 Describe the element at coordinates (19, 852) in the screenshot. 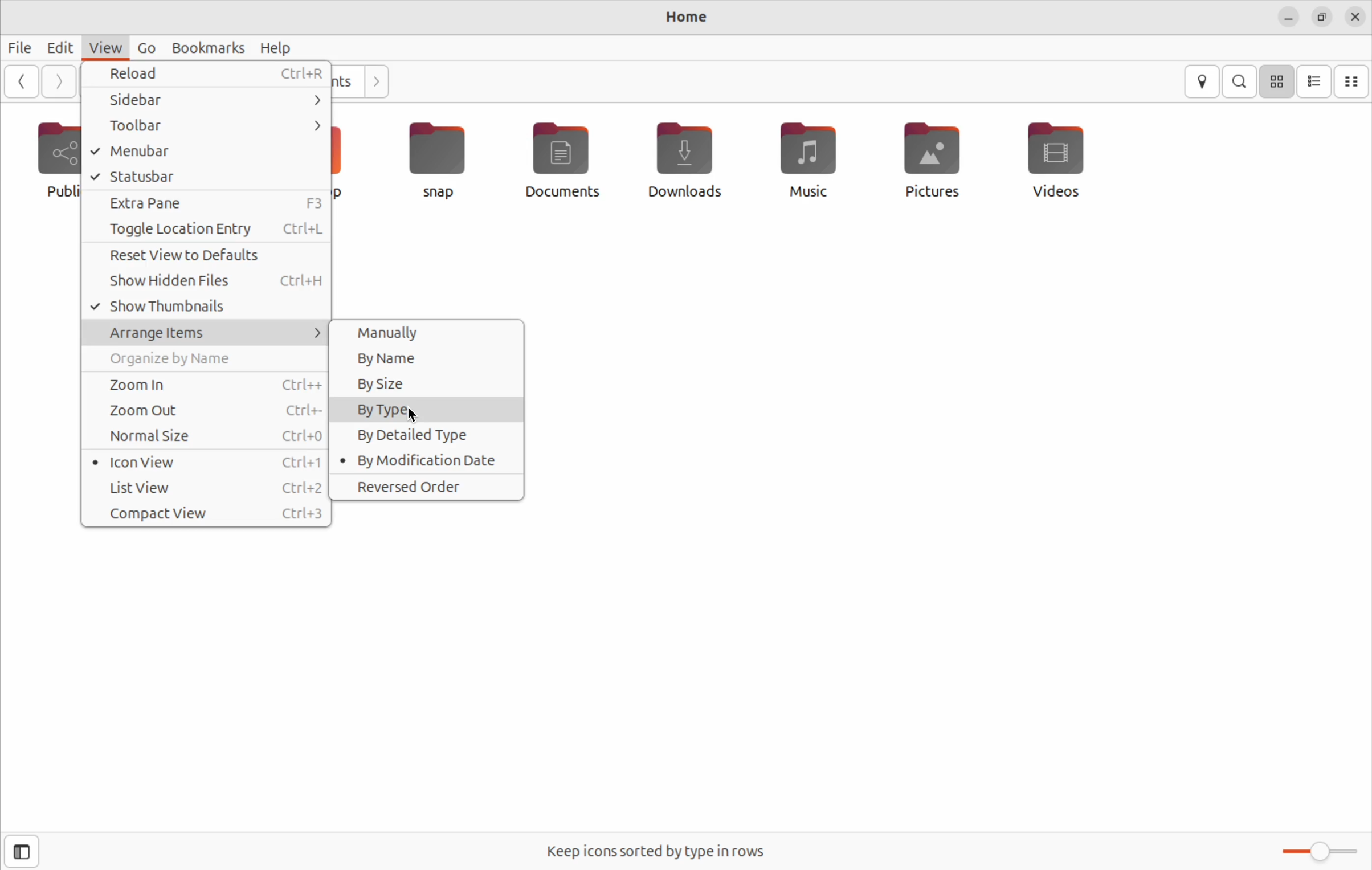

I see `side bar` at that location.